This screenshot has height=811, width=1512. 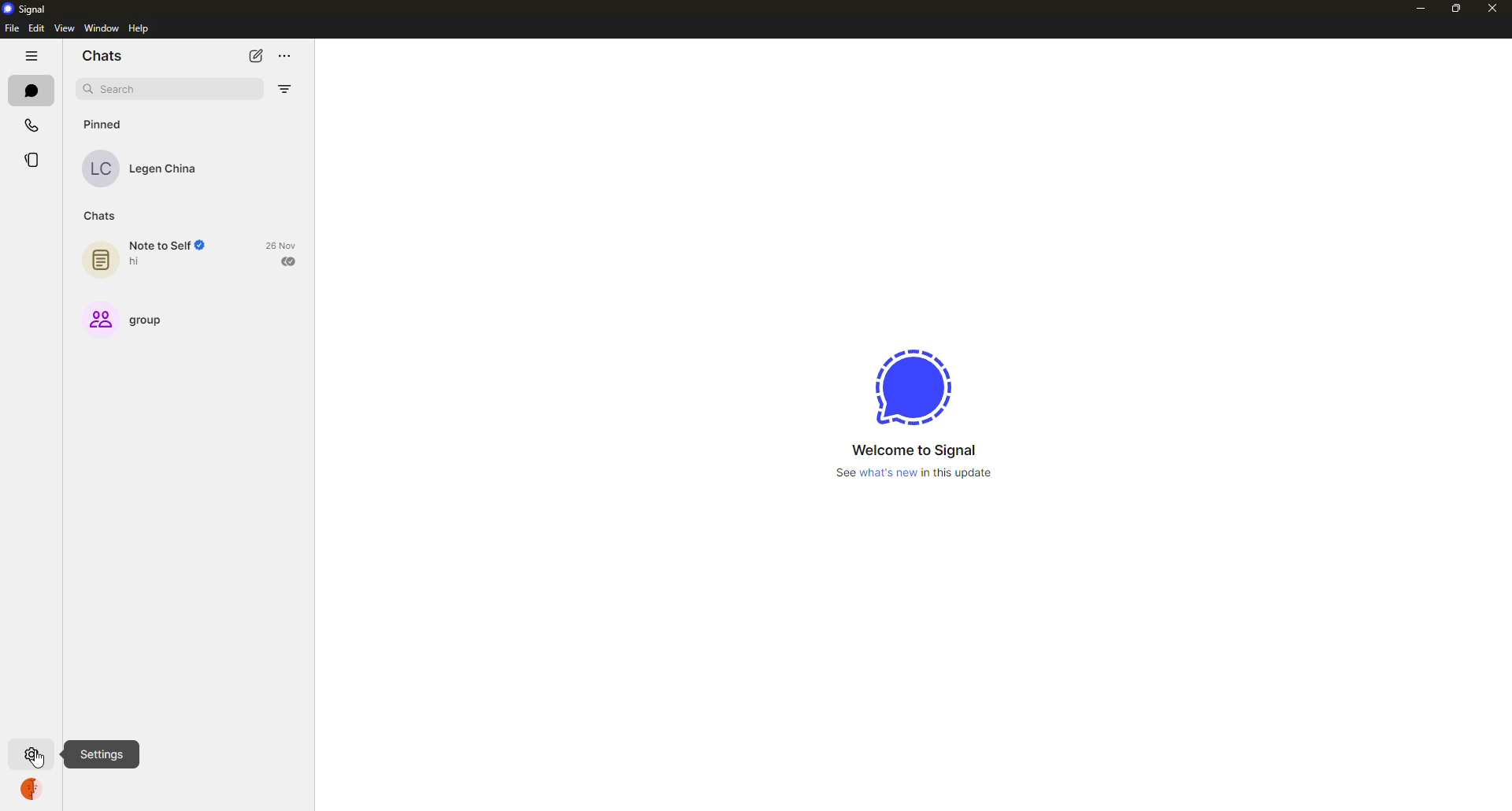 What do you see at coordinates (120, 89) in the screenshot?
I see `search` at bounding box center [120, 89].